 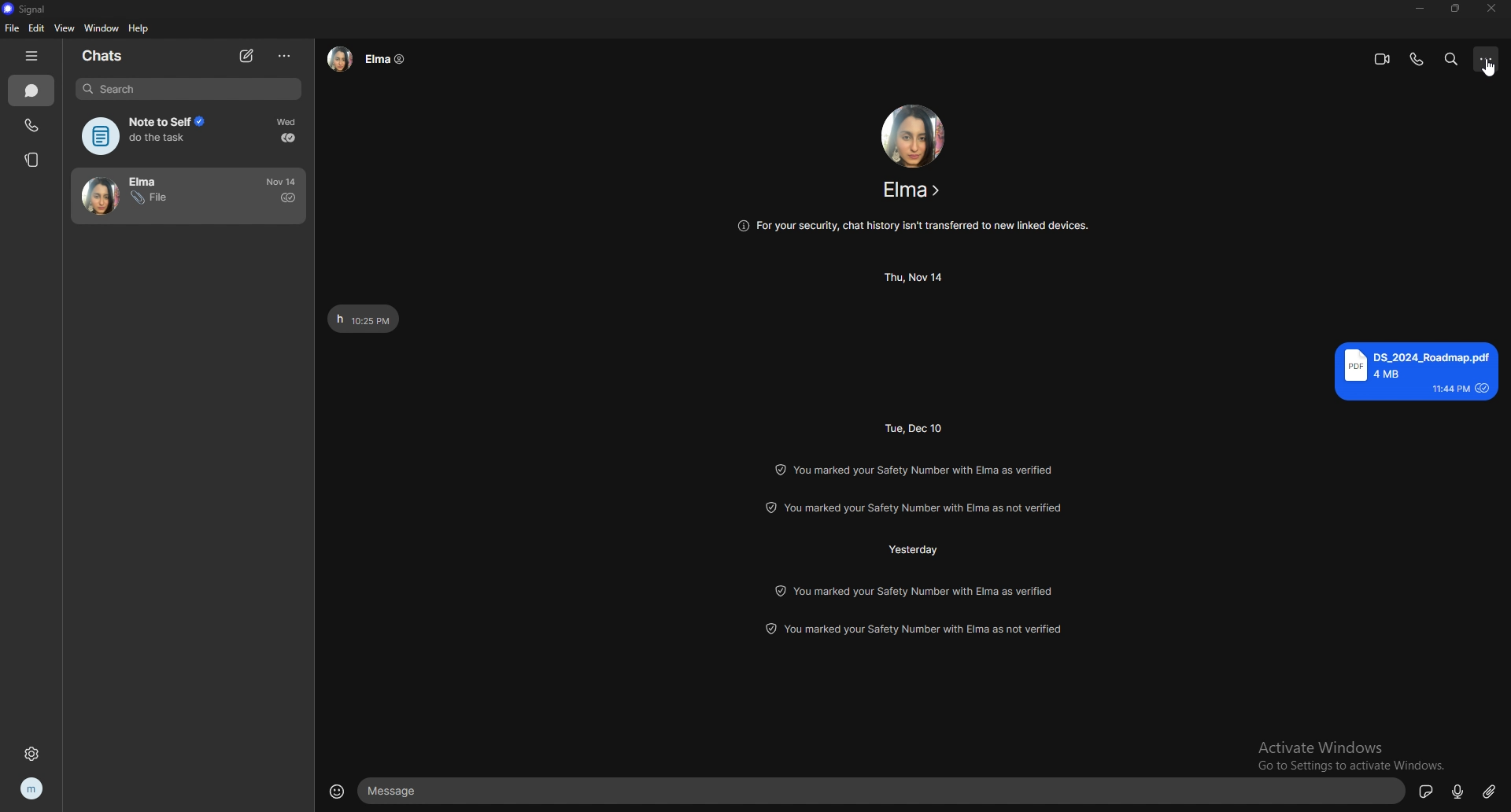 I want to click on options, so click(x=286, y=56).